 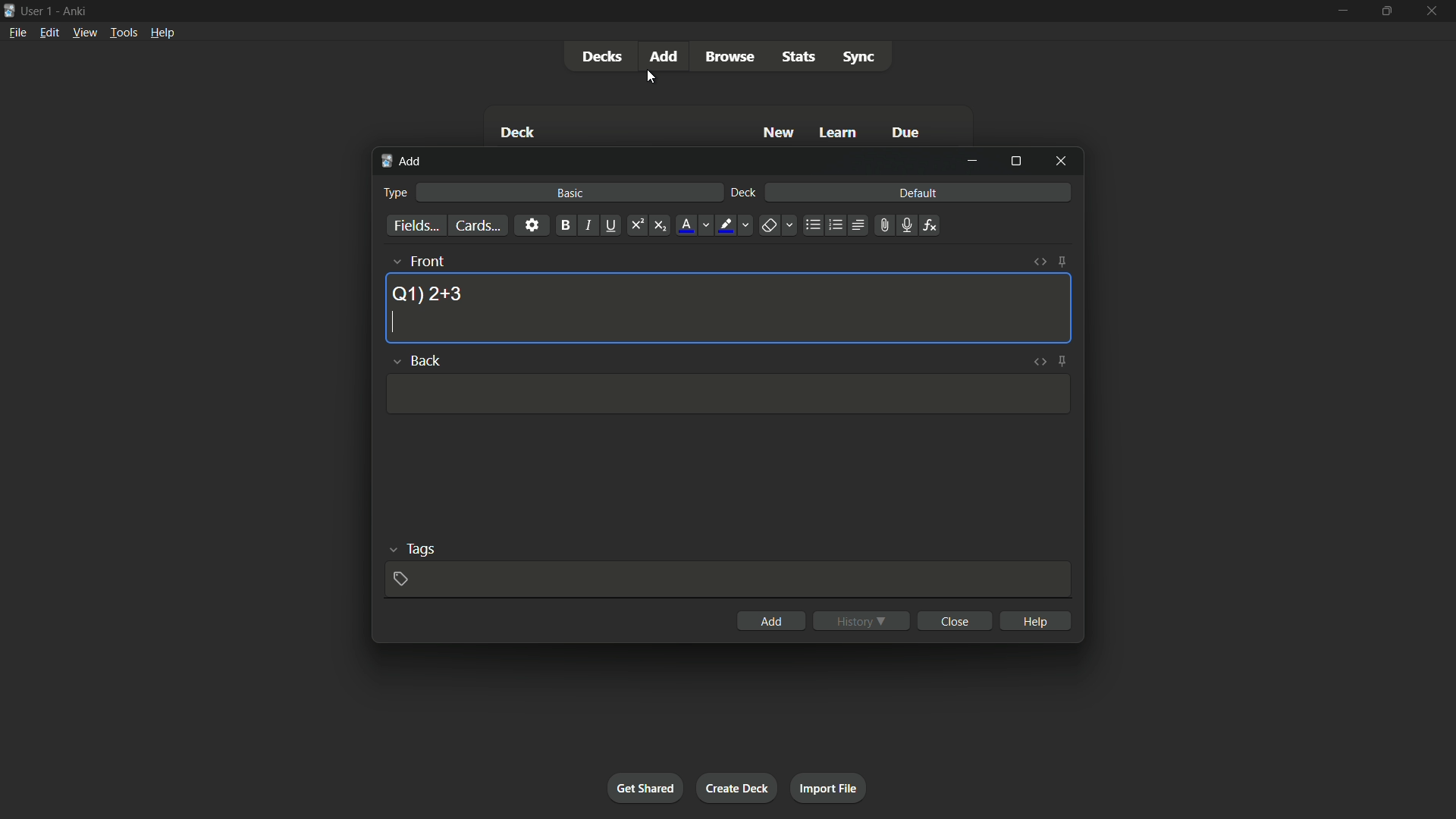 What do you see at coordinates (730, 57) in the screenshot?
I see `browse` at bounding box center [730, 57].